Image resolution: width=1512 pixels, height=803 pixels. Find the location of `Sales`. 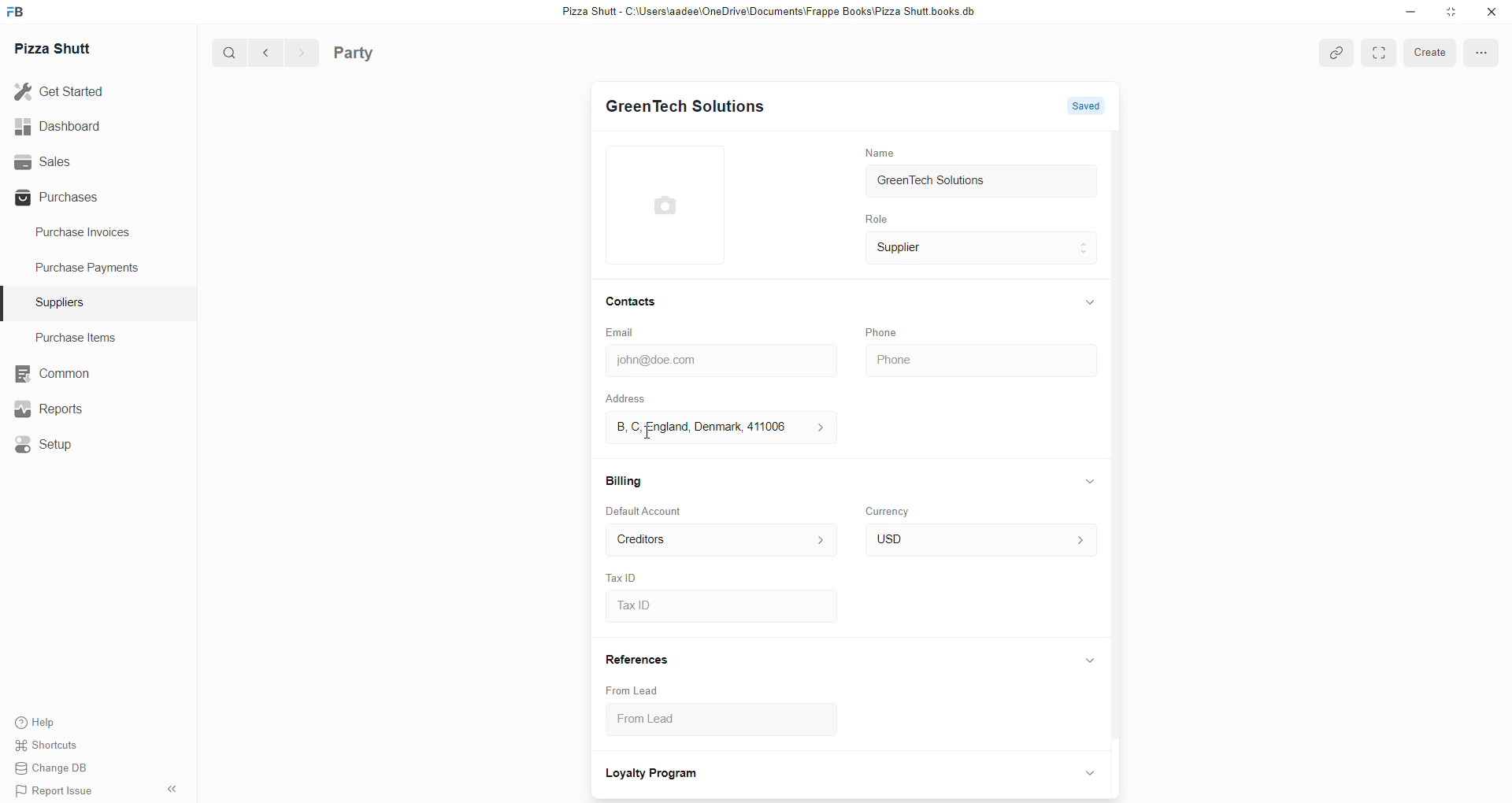

Sales is located at coordinates (76, 161).